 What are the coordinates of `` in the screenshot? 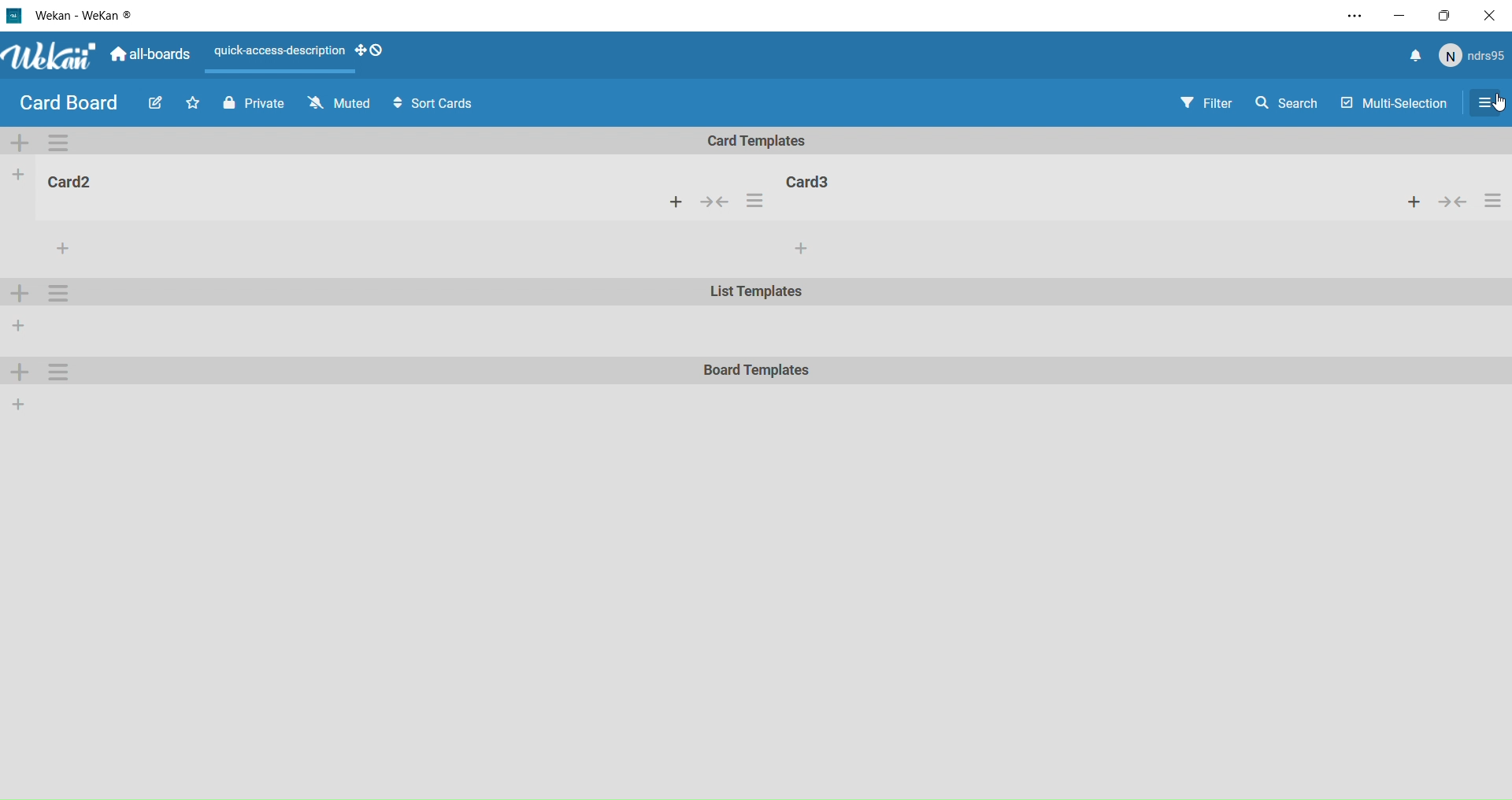 It's located at (96, 193).